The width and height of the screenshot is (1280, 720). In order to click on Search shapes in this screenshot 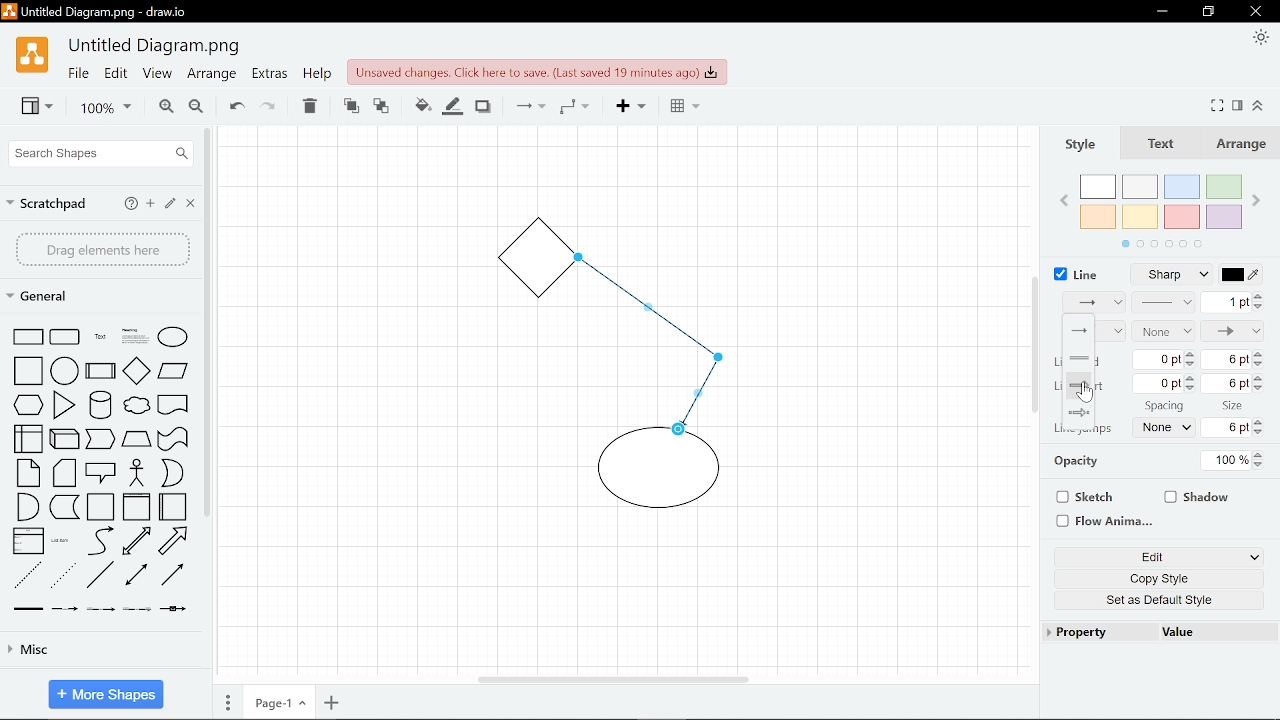, I will do `click(98, 153)`.